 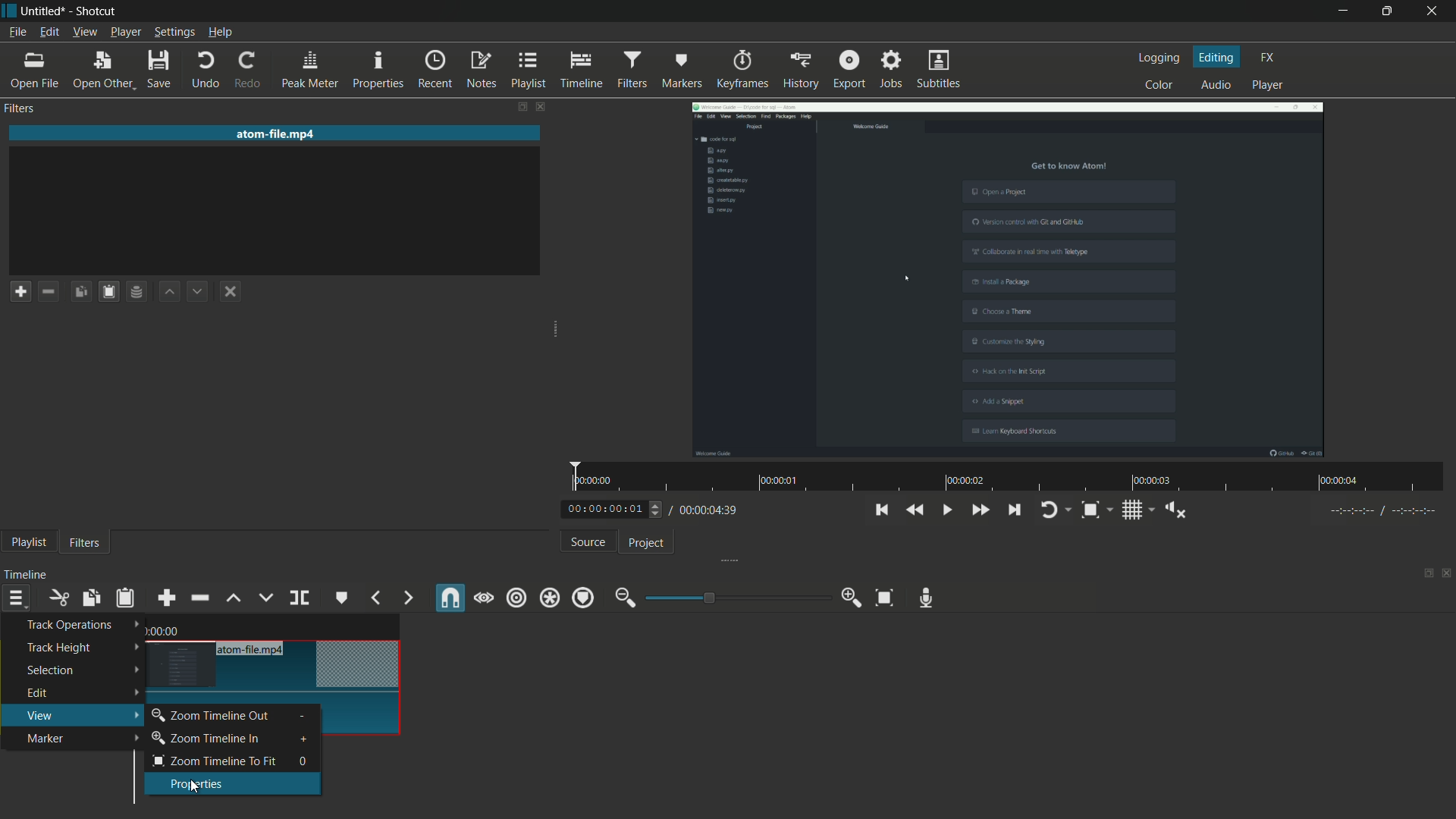 What do you see at coordinates (165, 631) in the screenshot?
I see `time` at bounding box center [165, 631].